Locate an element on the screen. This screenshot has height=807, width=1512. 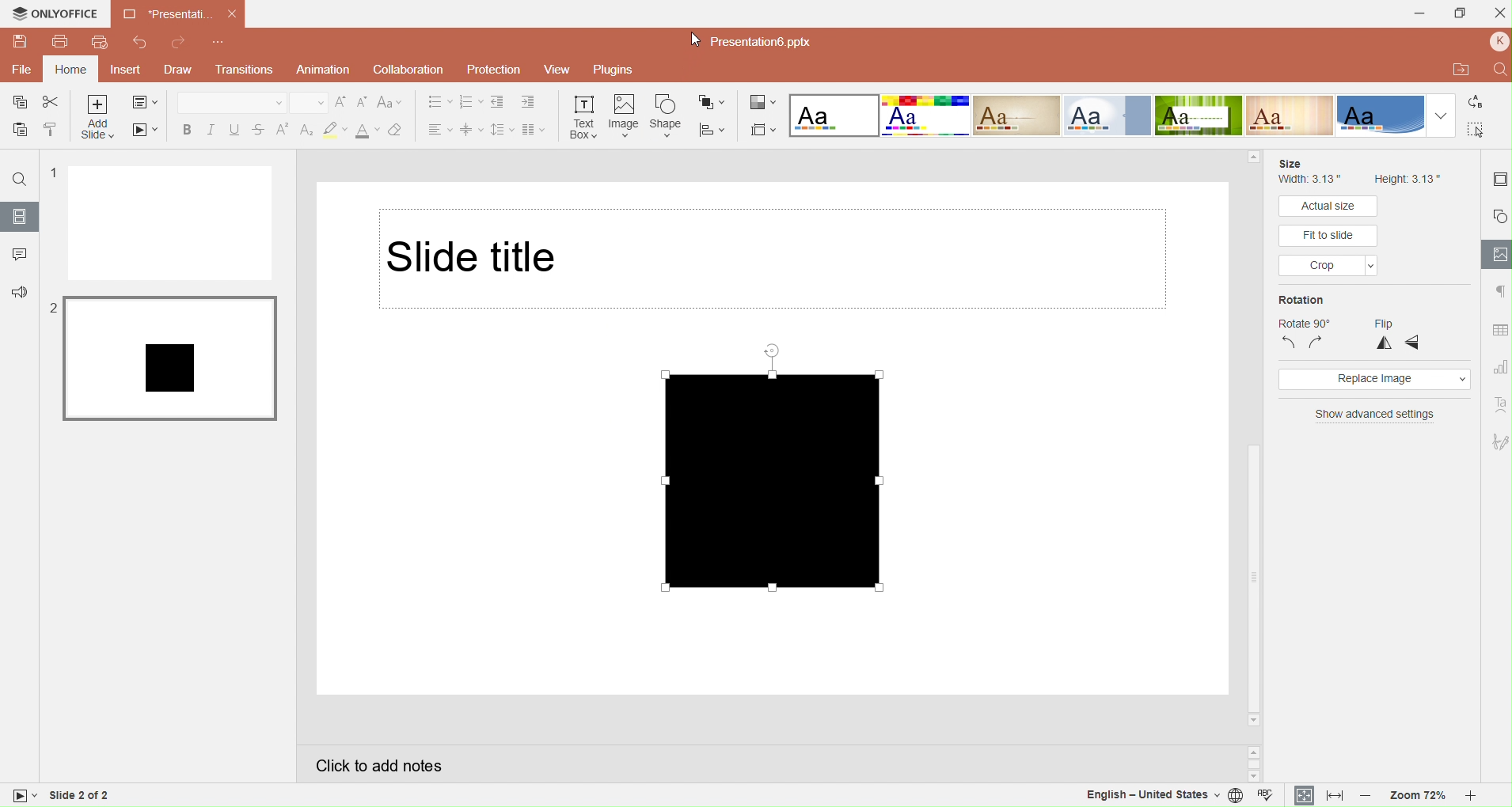
Lines is located at coordinates (1290, 116).